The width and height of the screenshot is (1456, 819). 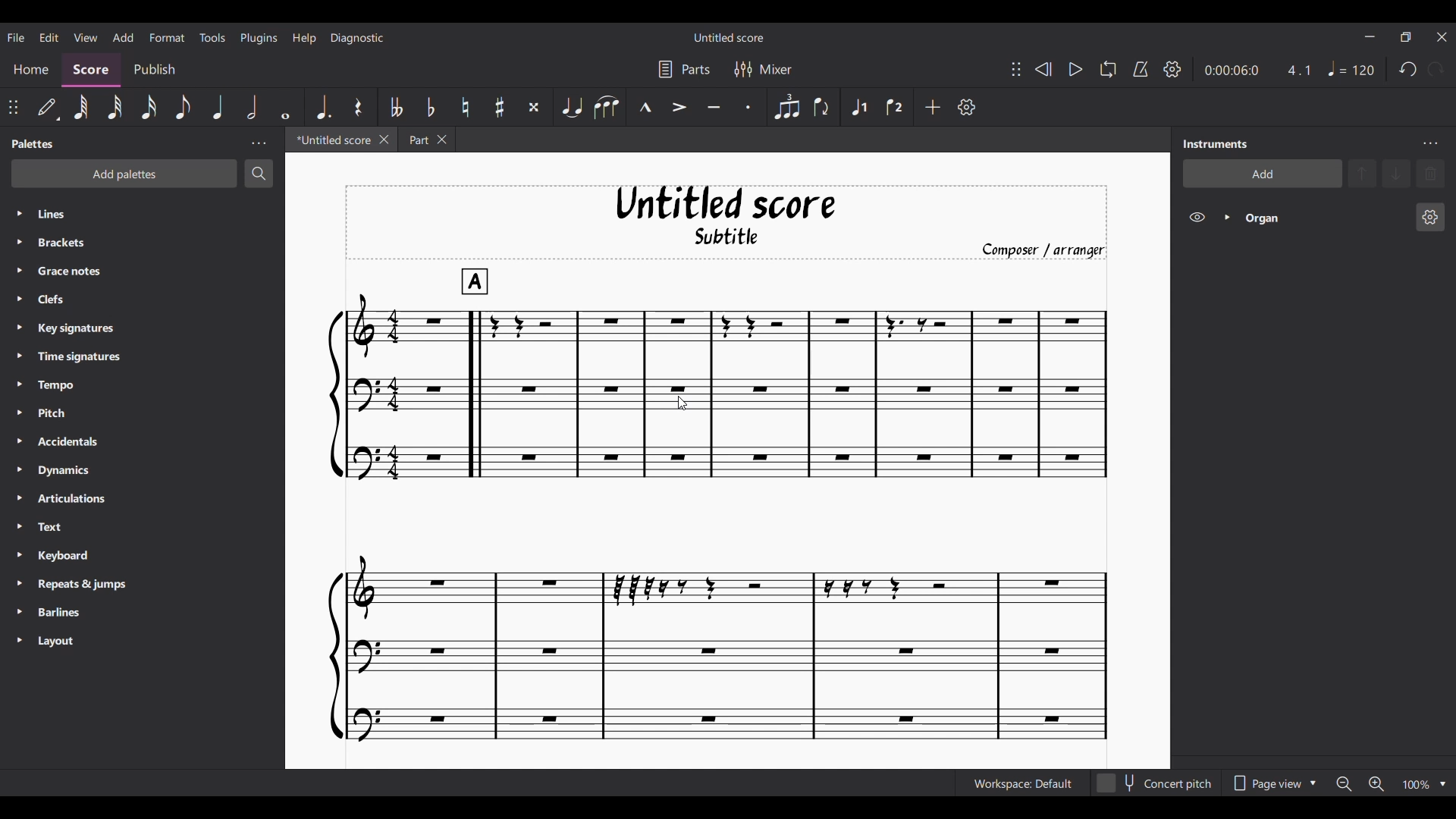 I want to click on 16th note, so click(x=149, y=107).